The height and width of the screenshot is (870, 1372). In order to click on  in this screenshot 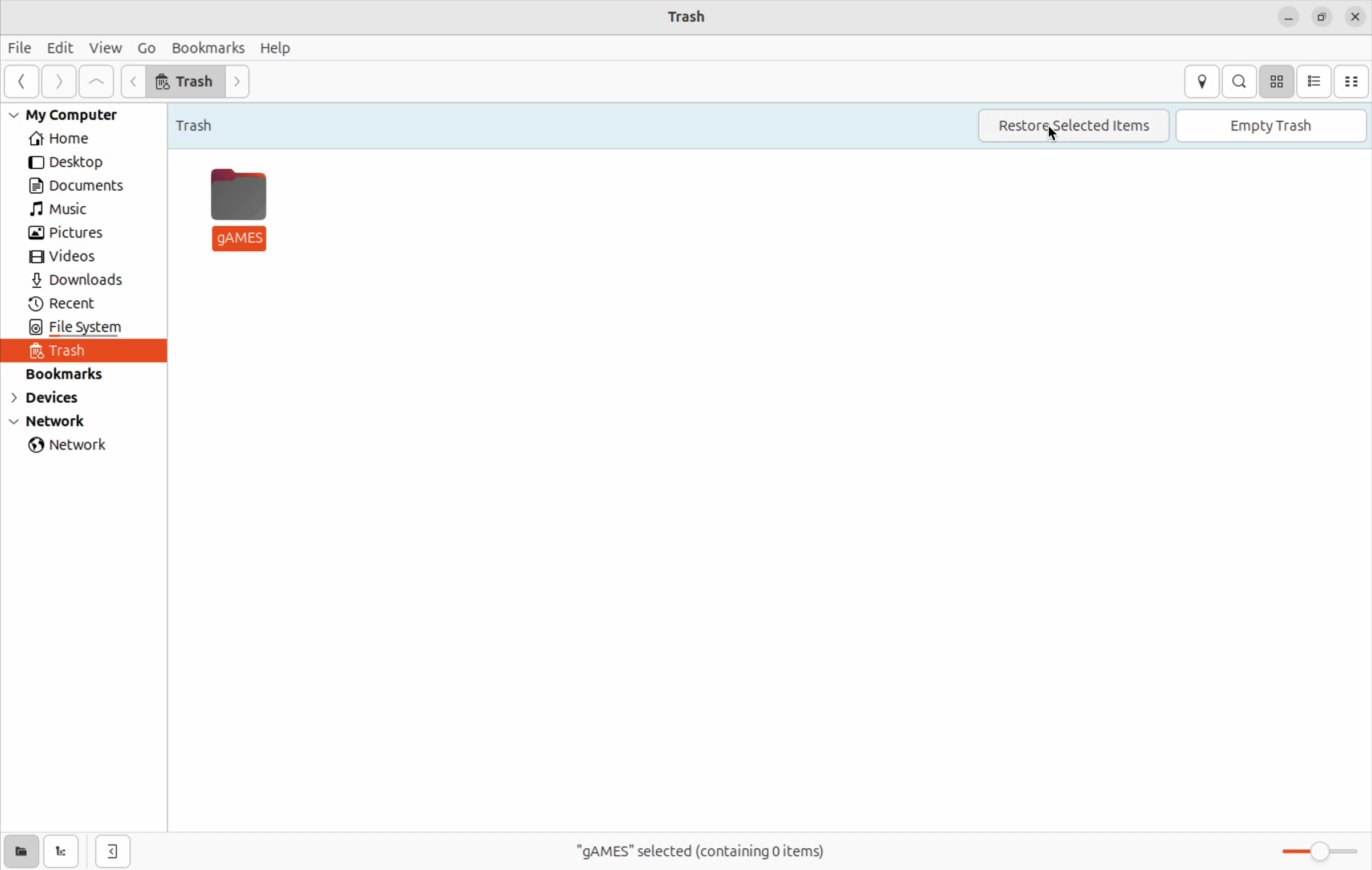, I will do `click(134, 81)`.